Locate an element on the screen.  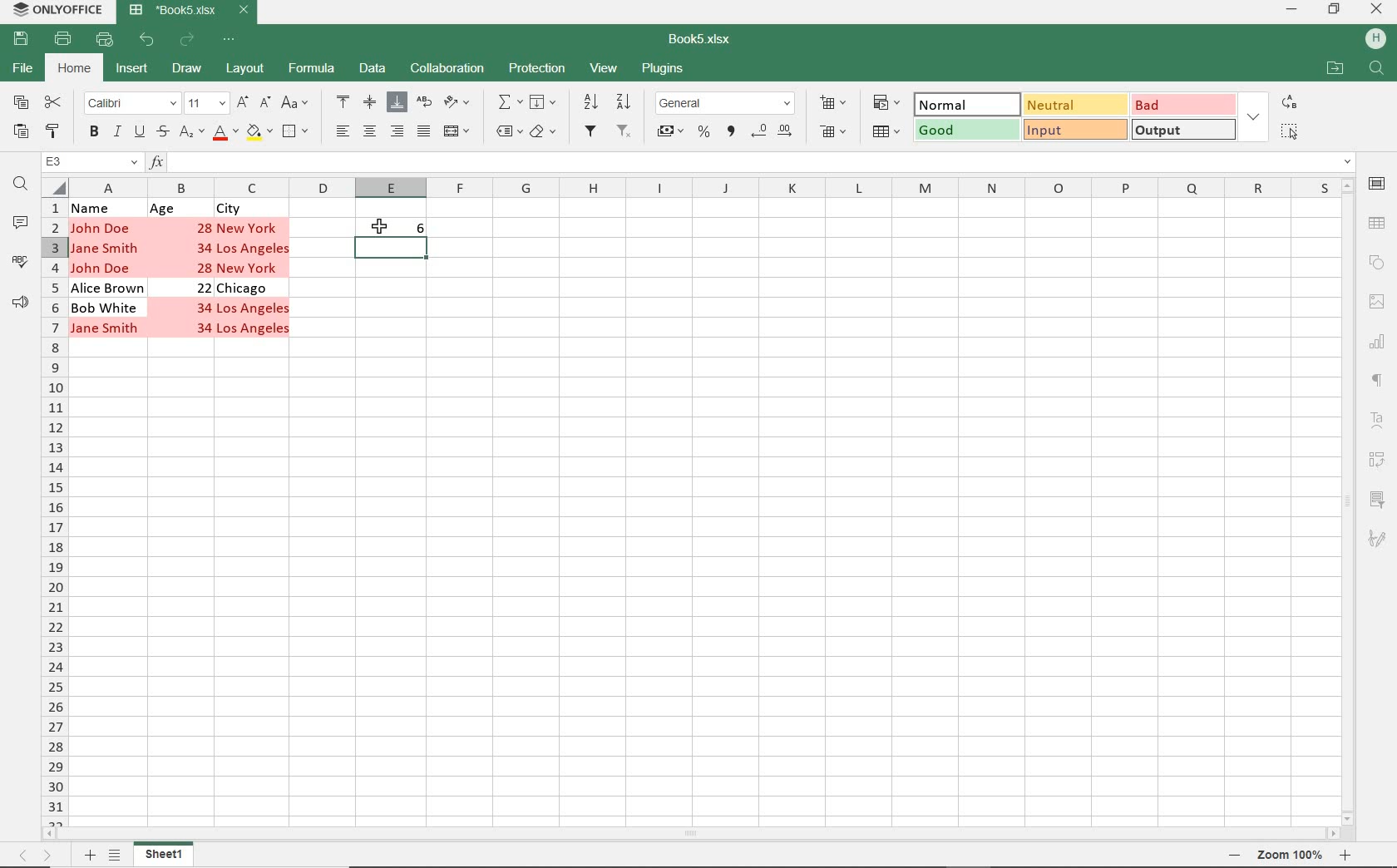
SAVE is located at coordinates (20, 39).